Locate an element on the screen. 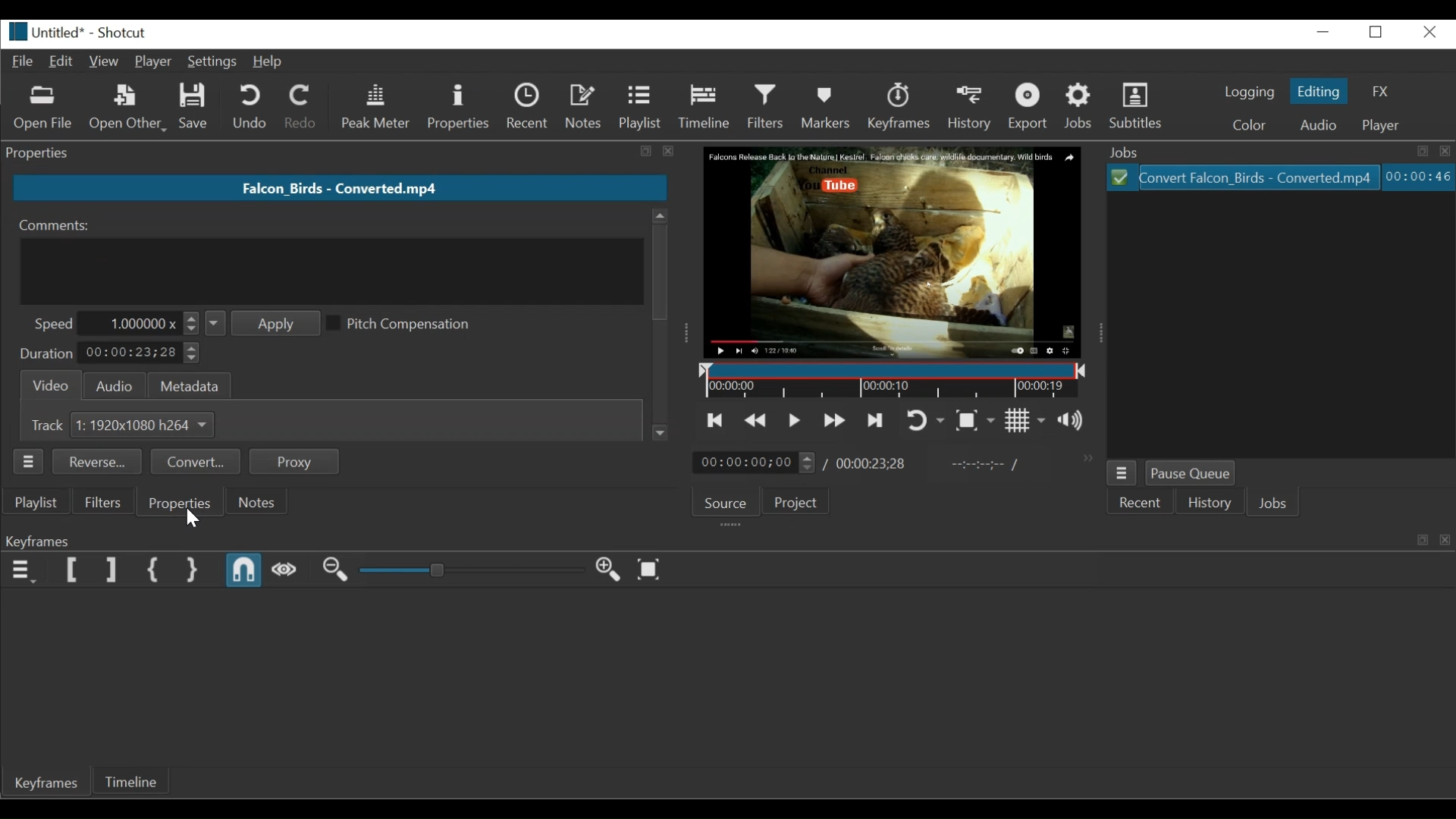 The image size is (1456, 819). History is located at coordinates (1209, 504).